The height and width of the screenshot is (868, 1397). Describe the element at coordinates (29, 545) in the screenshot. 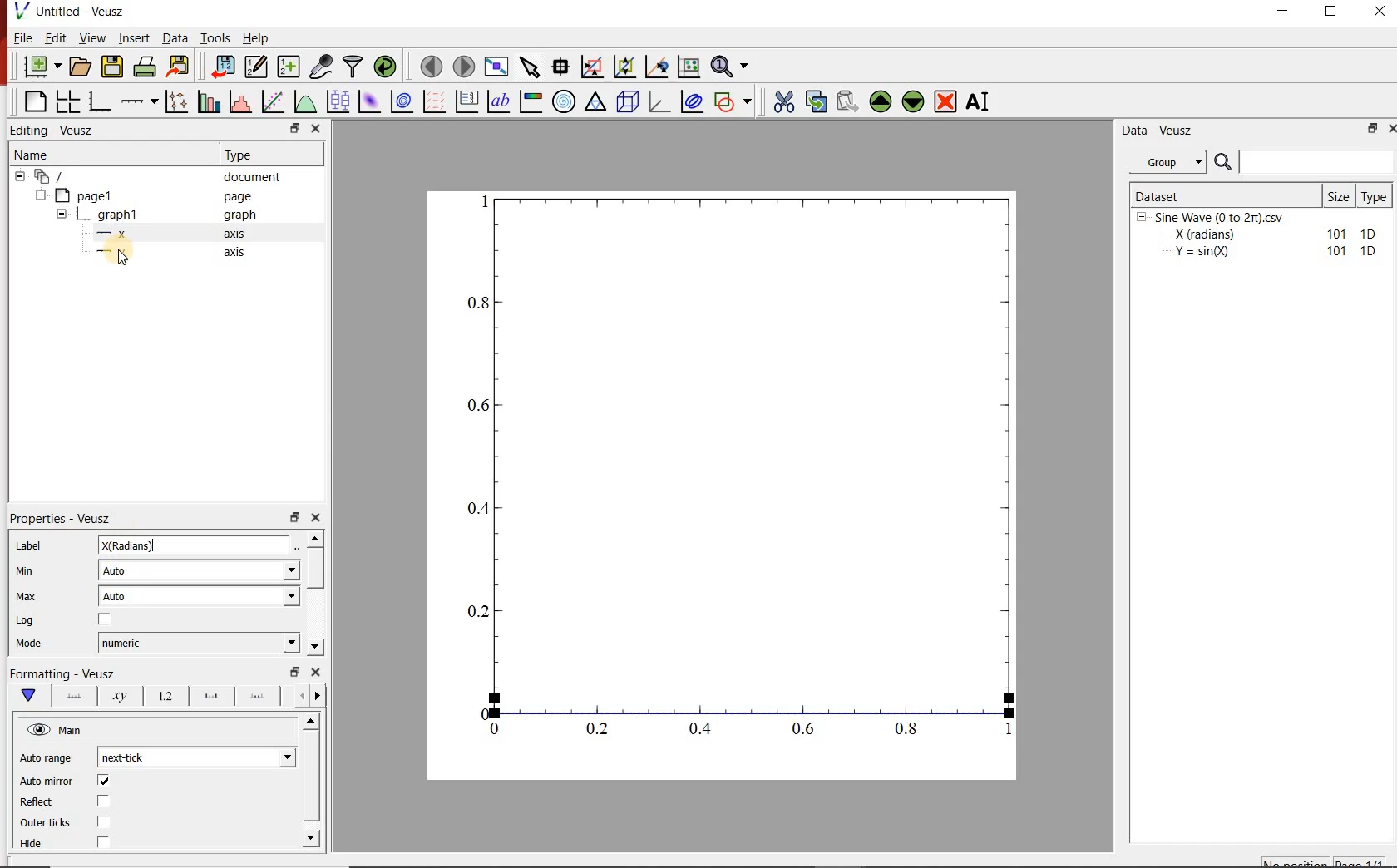

I see `Label` at that location.